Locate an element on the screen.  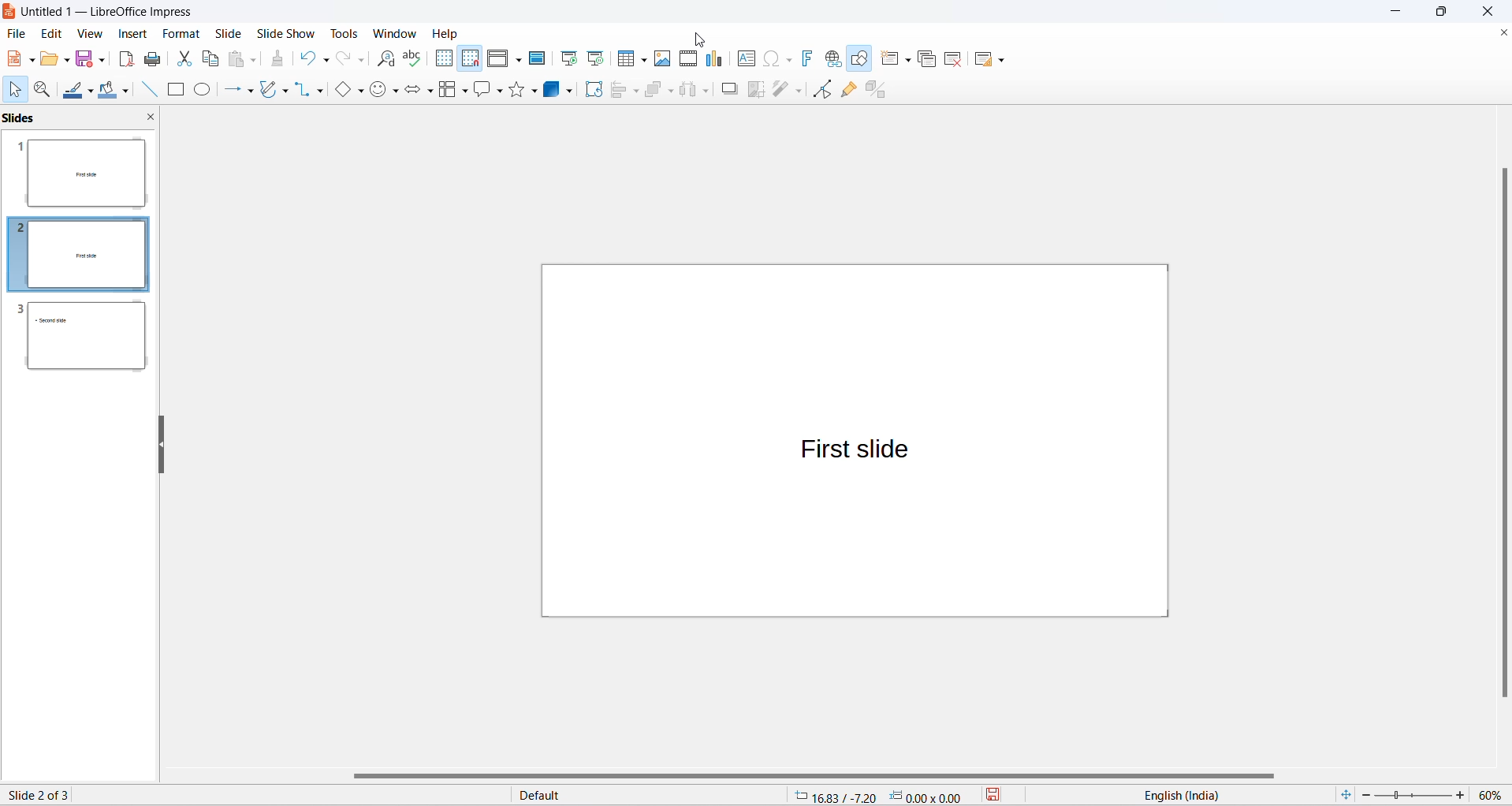
insert special characters is located at coordinates (776, 58).